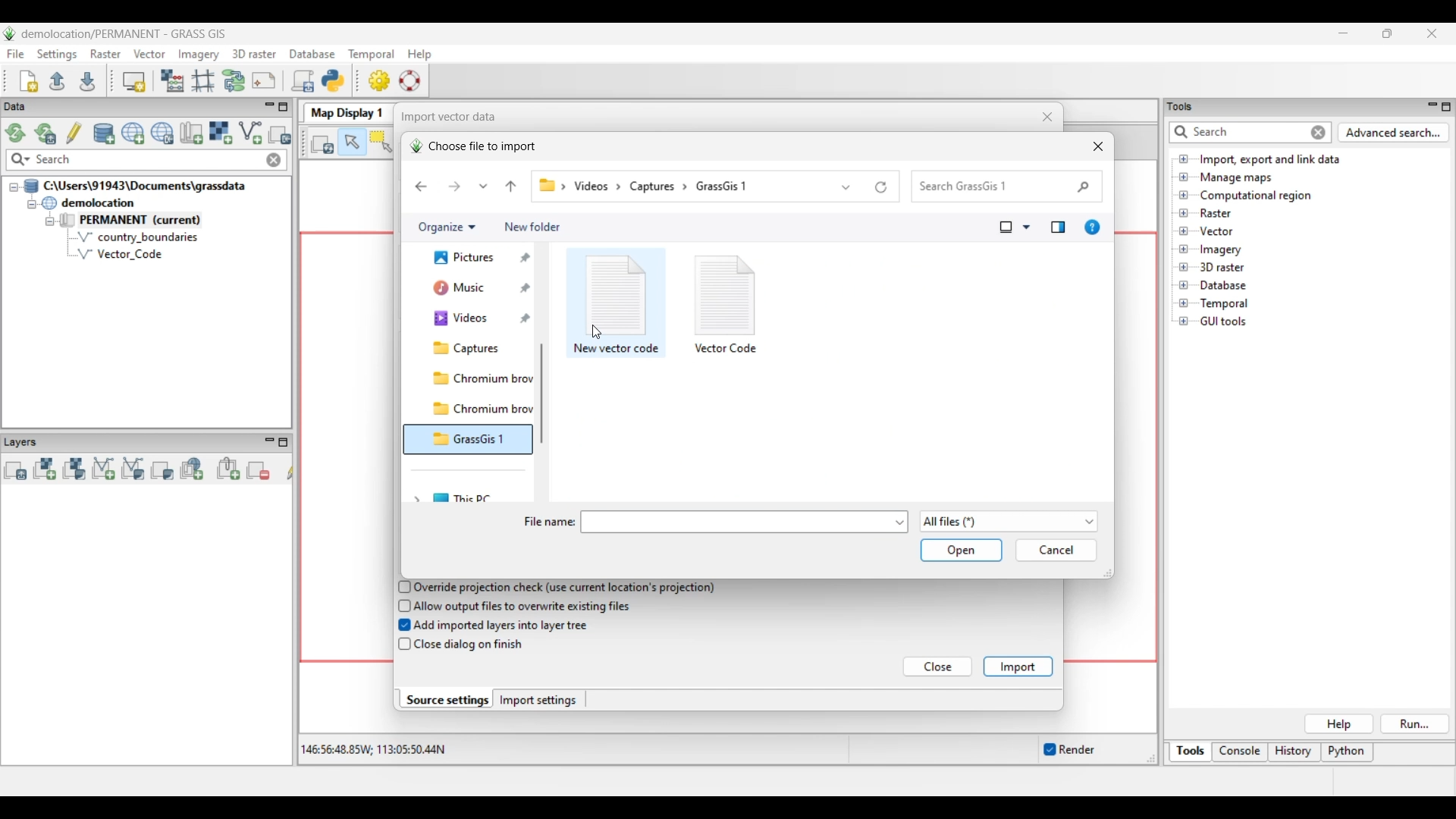  What do you see at coordinates (1216, 213) in the screenshot?
I see `Double click to see files under Raster` at bounding box center [1216, 213].